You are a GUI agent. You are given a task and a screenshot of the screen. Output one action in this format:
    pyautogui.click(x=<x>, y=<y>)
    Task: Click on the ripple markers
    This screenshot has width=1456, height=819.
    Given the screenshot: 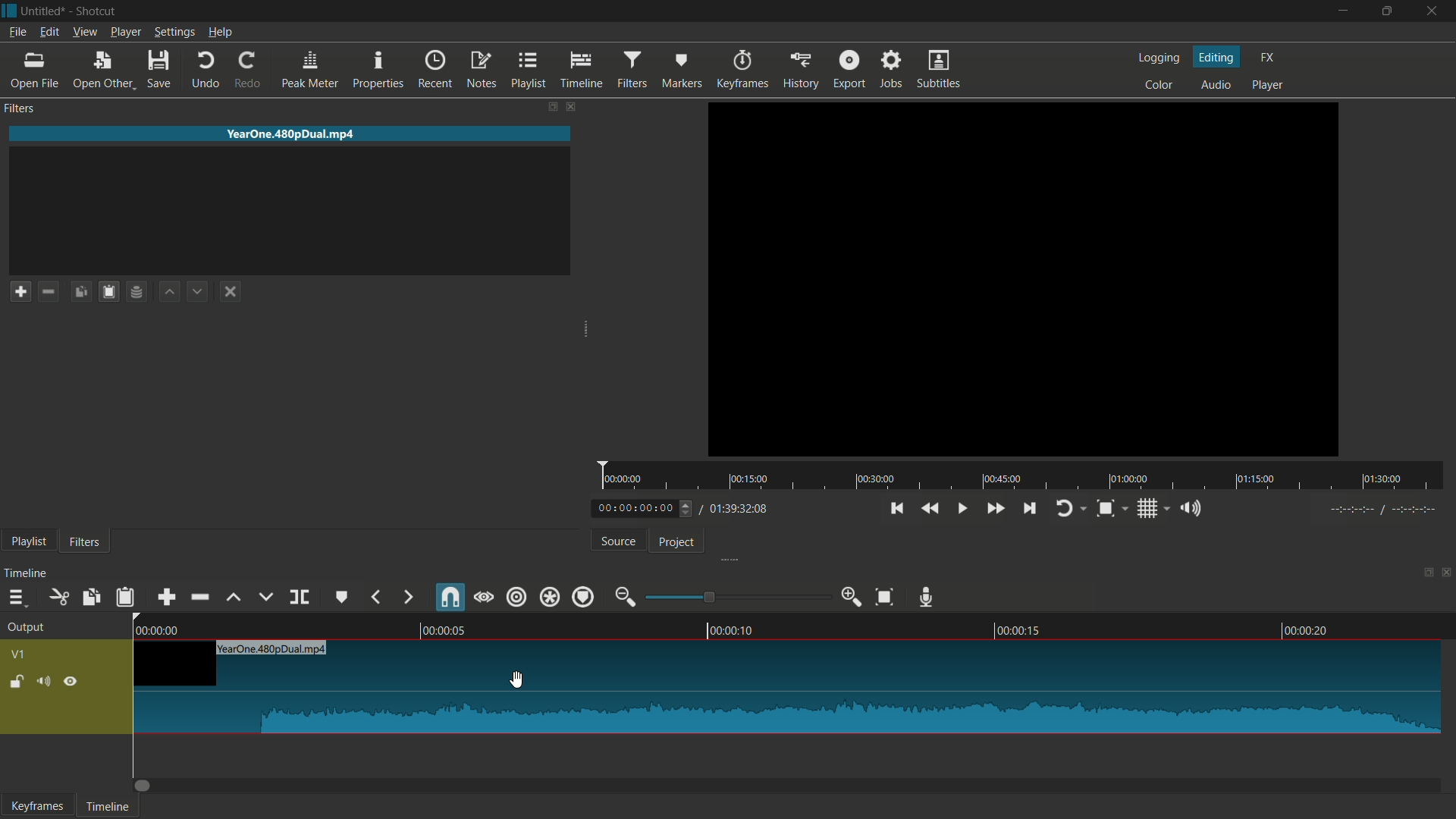 What is the action you would take?
    pyautogui.click(x=581, y=597)
    